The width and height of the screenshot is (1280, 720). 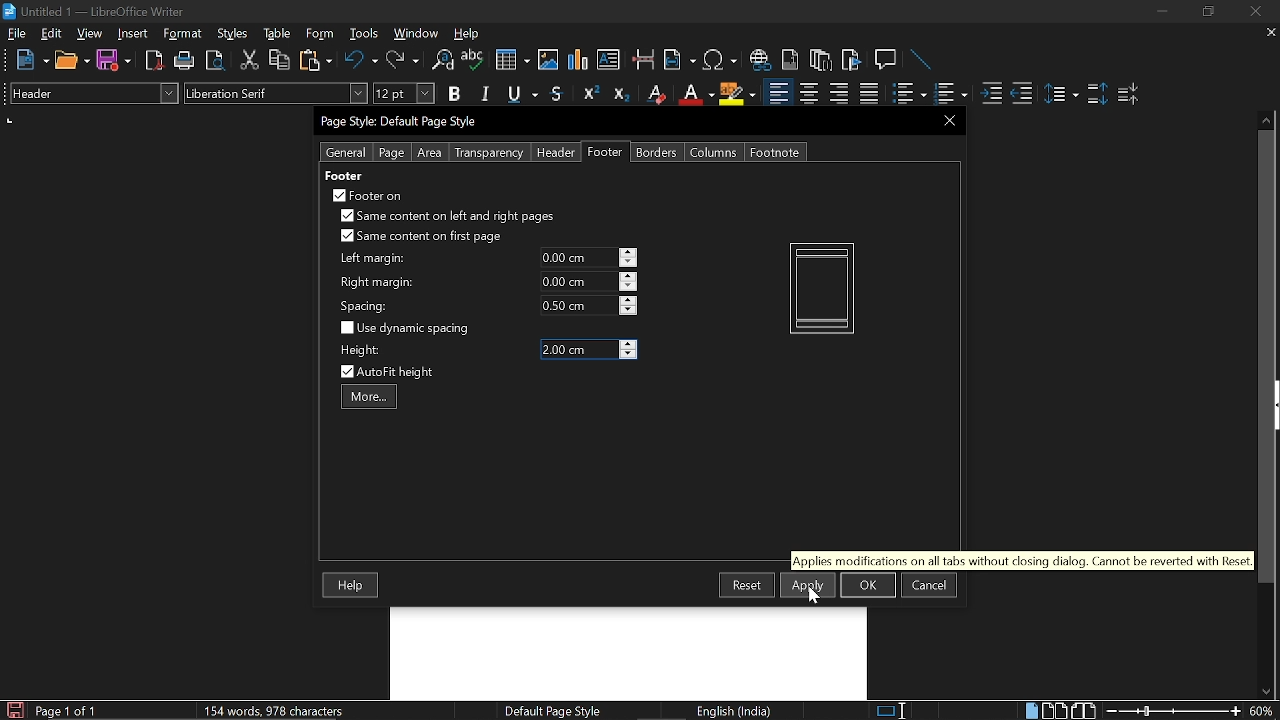 I want to click on Subscript, so click(x=620, y=94).